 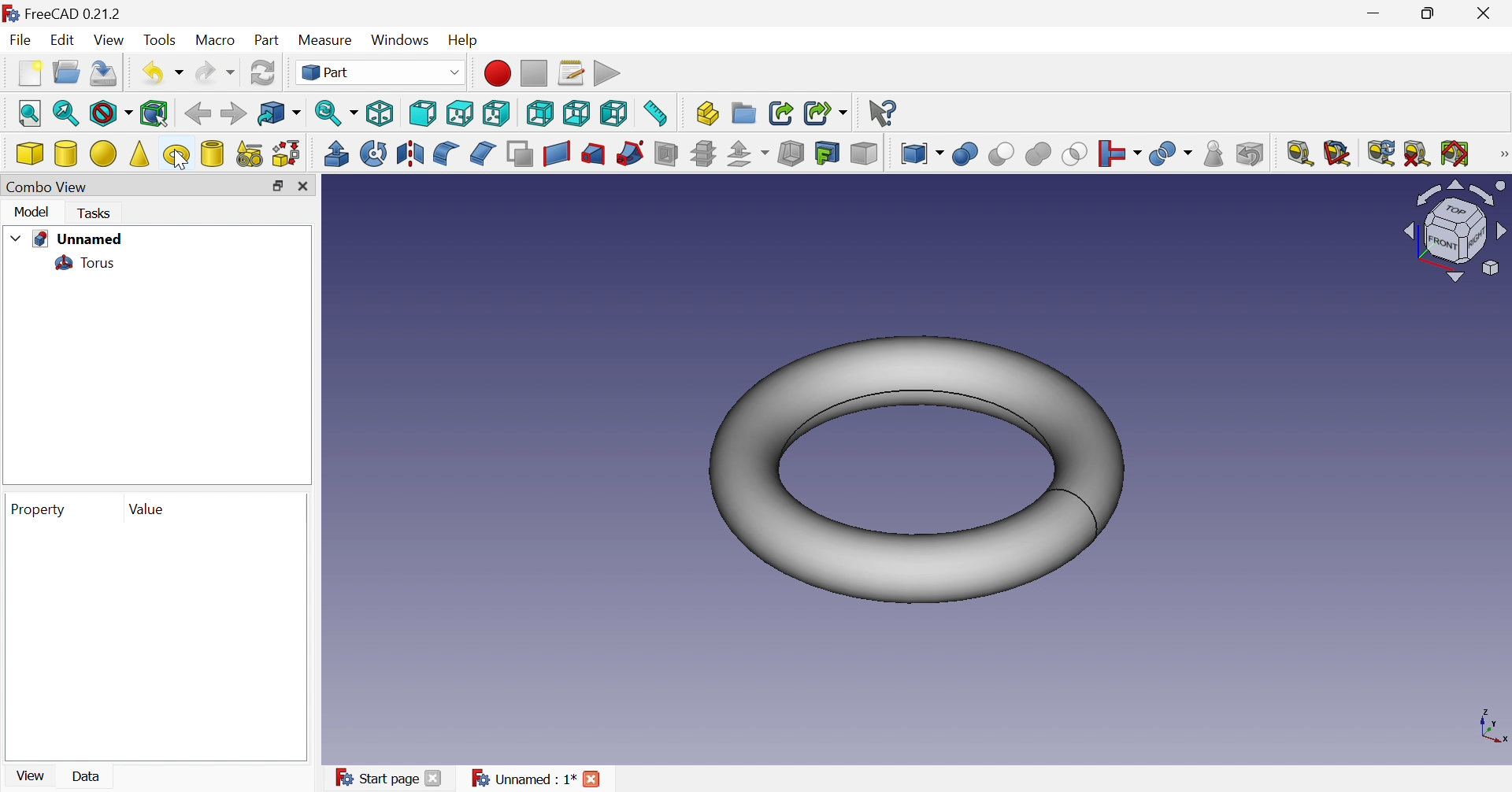 What do you see at coordinates (778, 111) in the screenshot?
I see `Make link` at bounding box center [778, 111].